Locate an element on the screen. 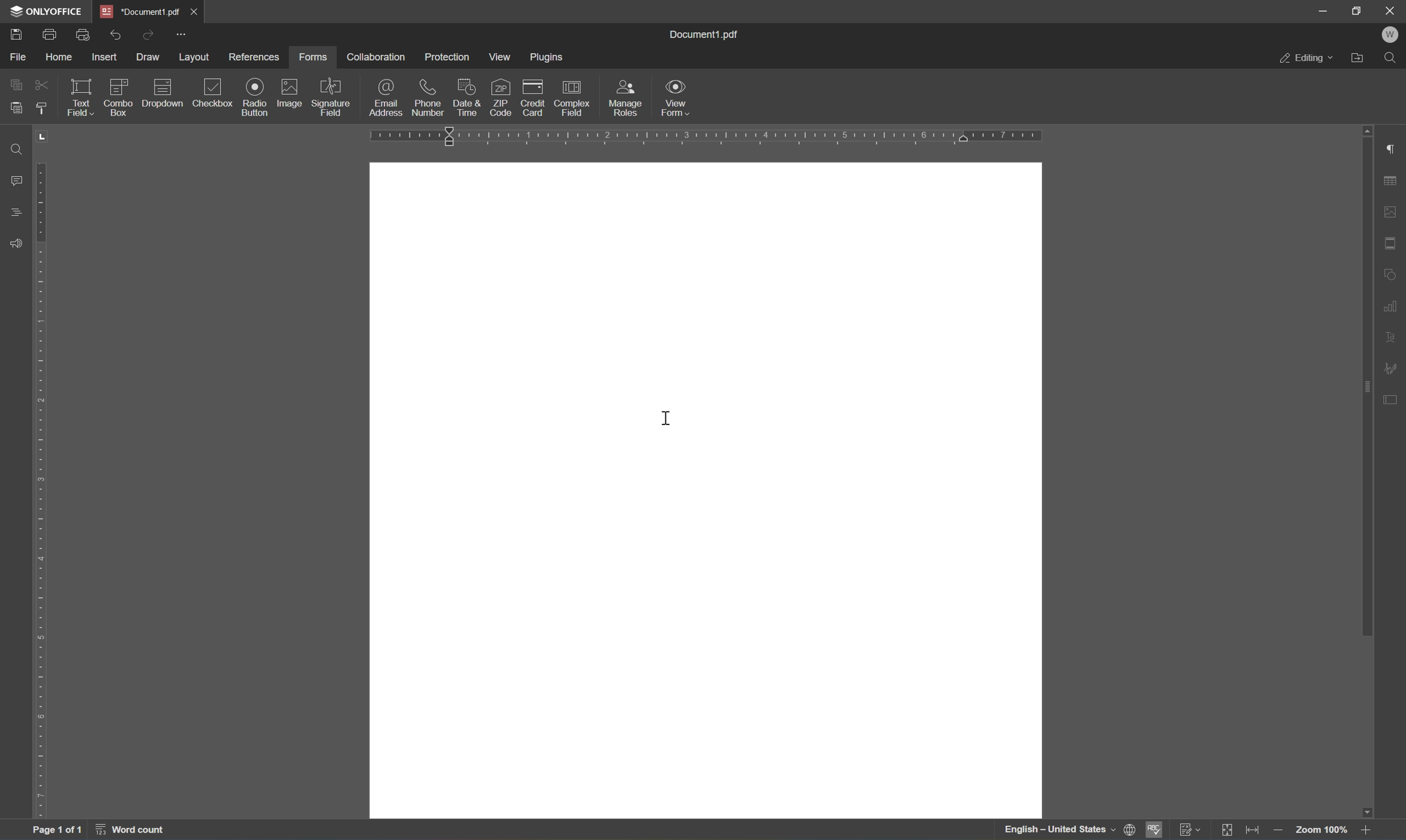 Image resolution: width=1406 pixels, height=840 pixels. signature field is located at coordinates (329, 97).